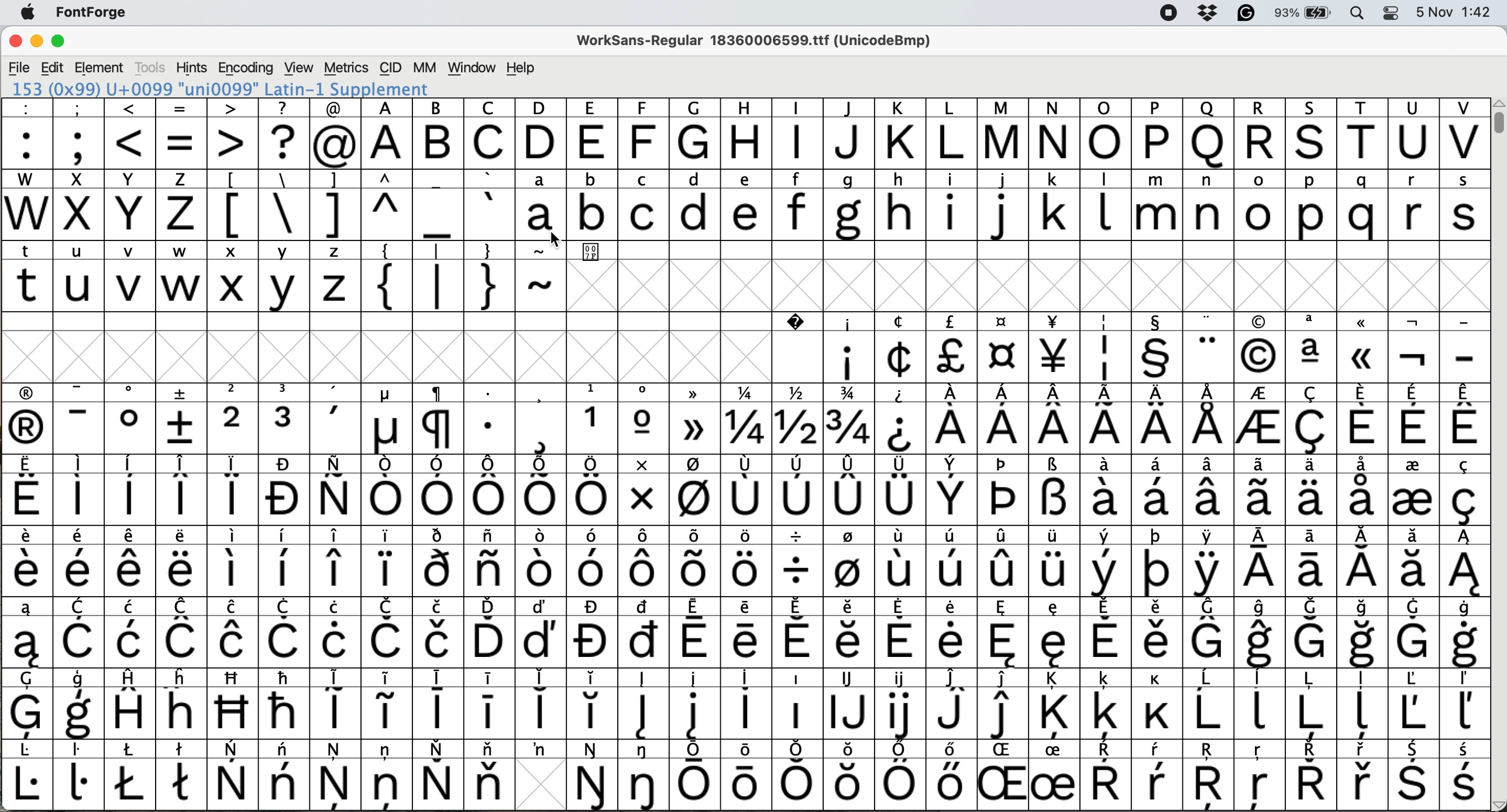 The image size is (1507, 812). Describe the element at coordinates (78, 490) in the screenshot. I see `symbol` at that location.